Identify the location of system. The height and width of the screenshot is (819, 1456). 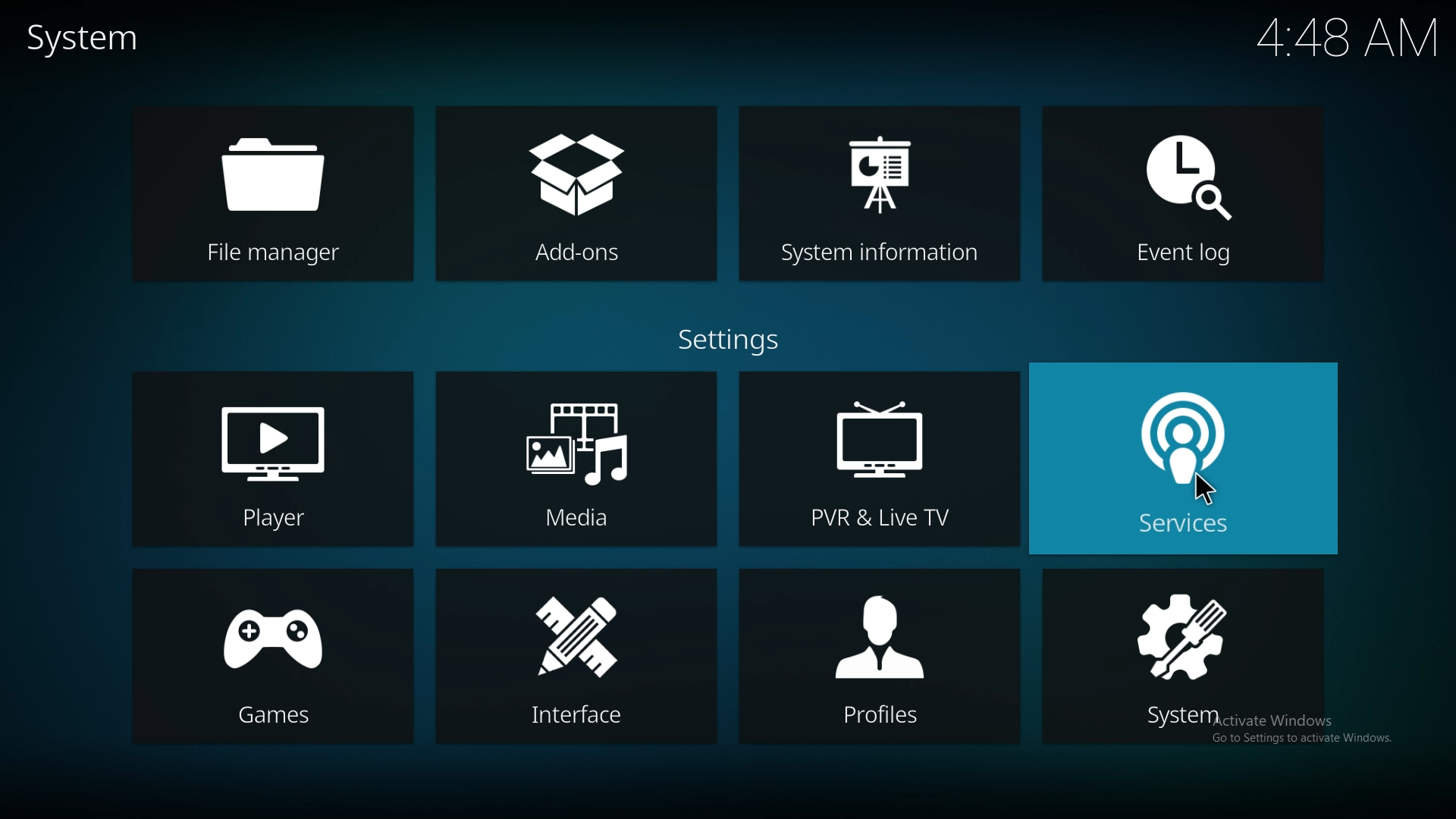
(1188, 657).